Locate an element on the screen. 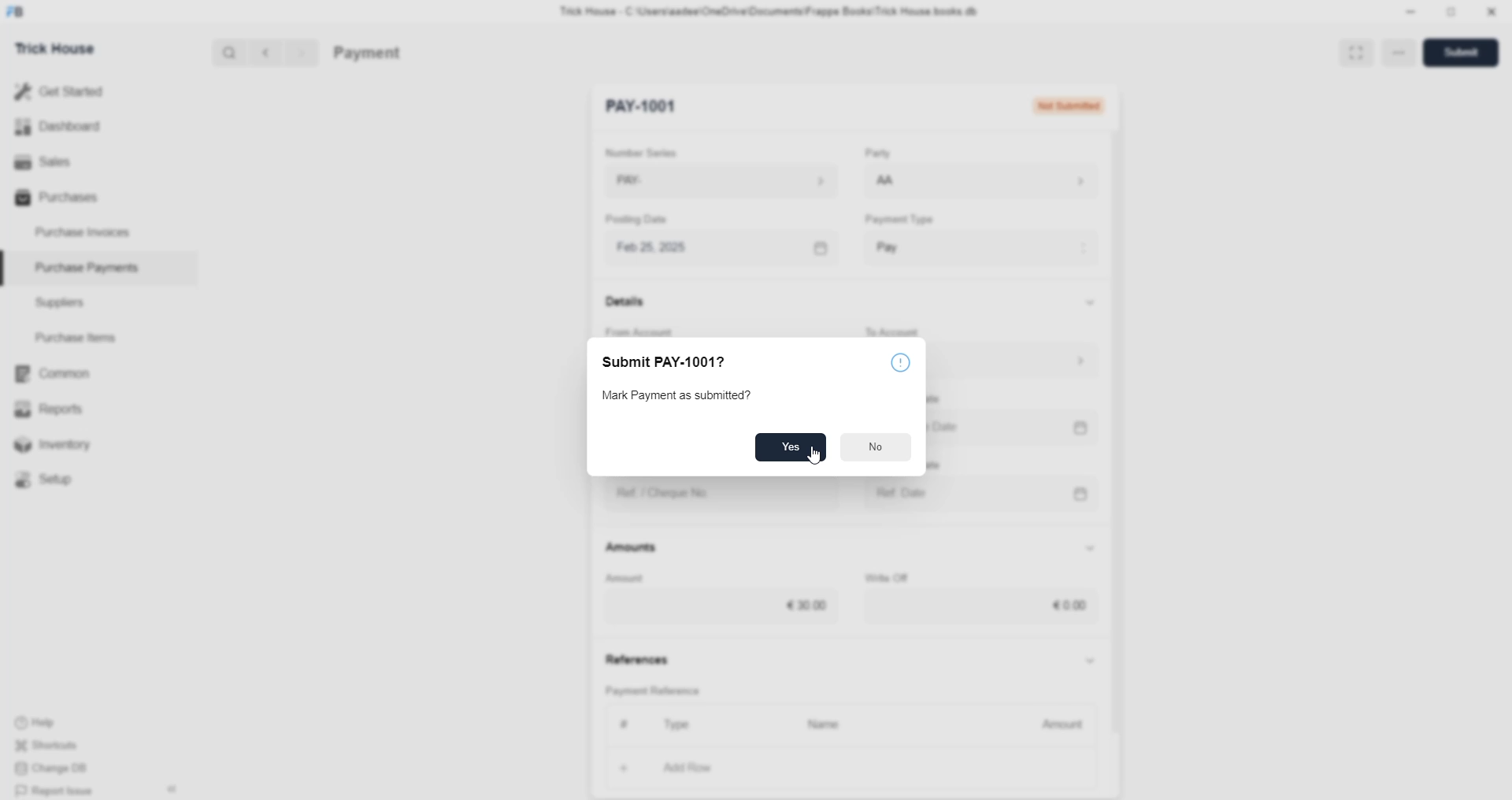 This screenshot has width=1512, height=800. Amounts is located at coordinates (641, 548).